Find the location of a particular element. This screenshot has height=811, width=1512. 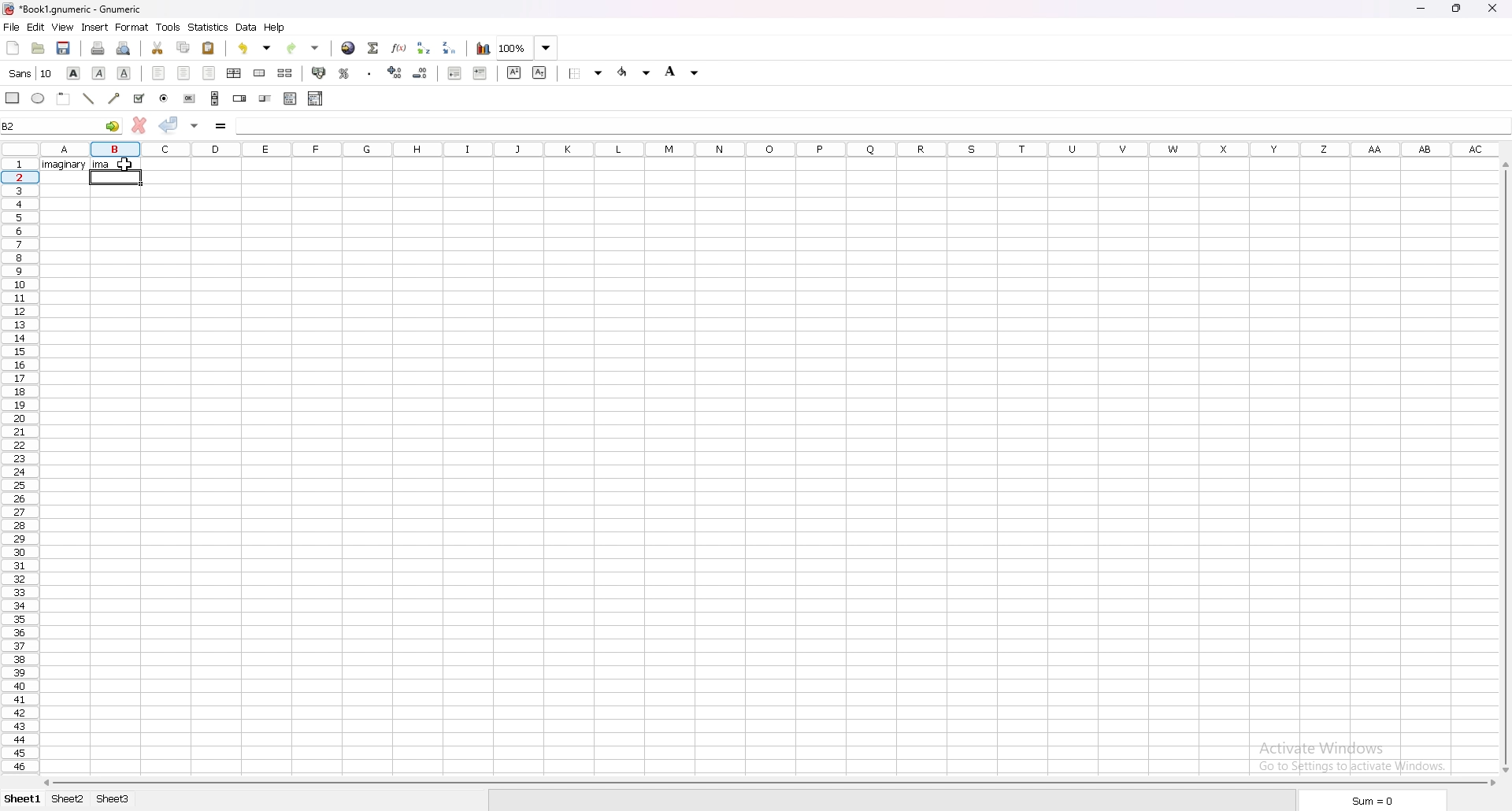

functions is located at coordinates (398, 48).